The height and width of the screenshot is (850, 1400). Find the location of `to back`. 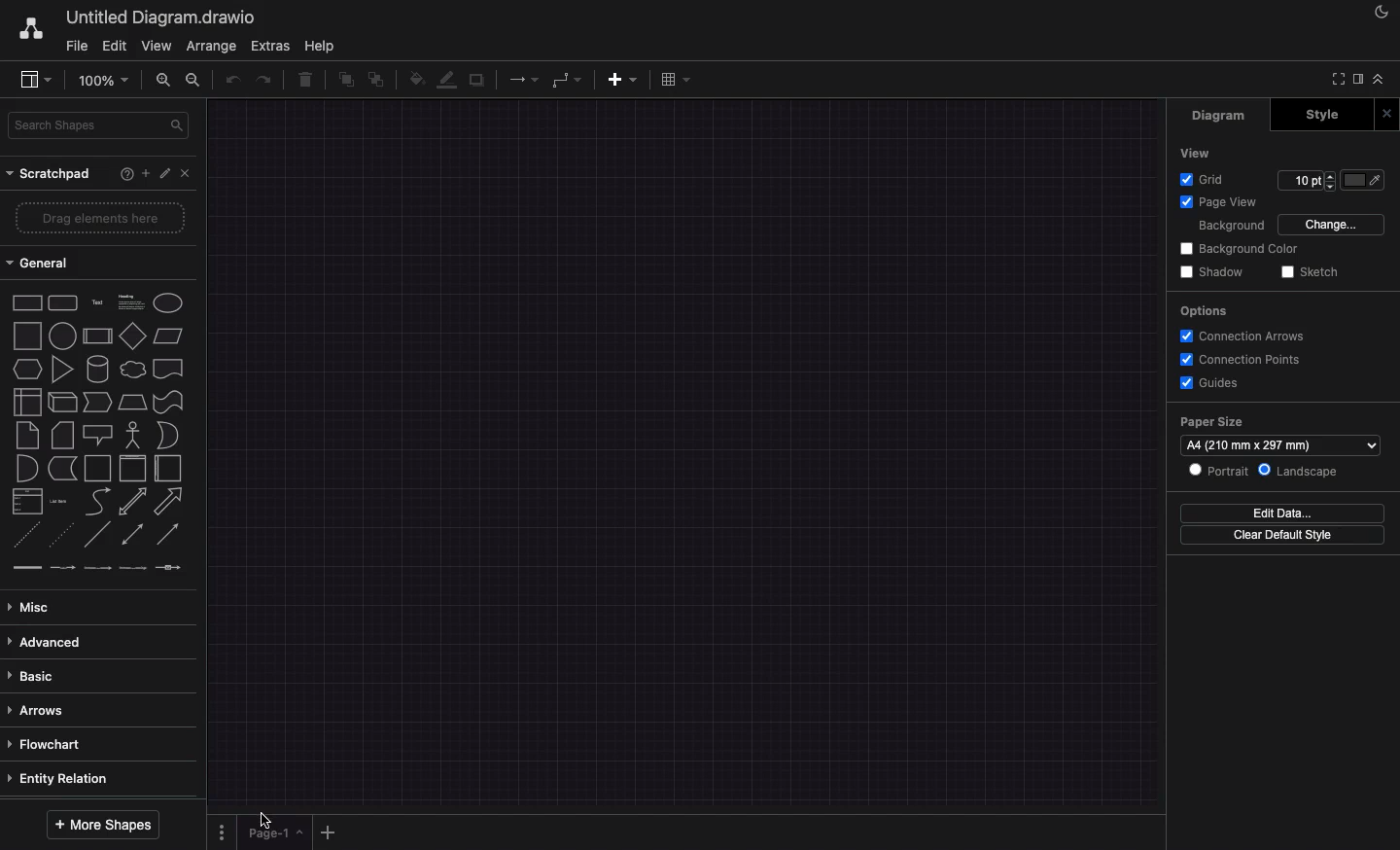

to back is located at coordinates (376, 81).